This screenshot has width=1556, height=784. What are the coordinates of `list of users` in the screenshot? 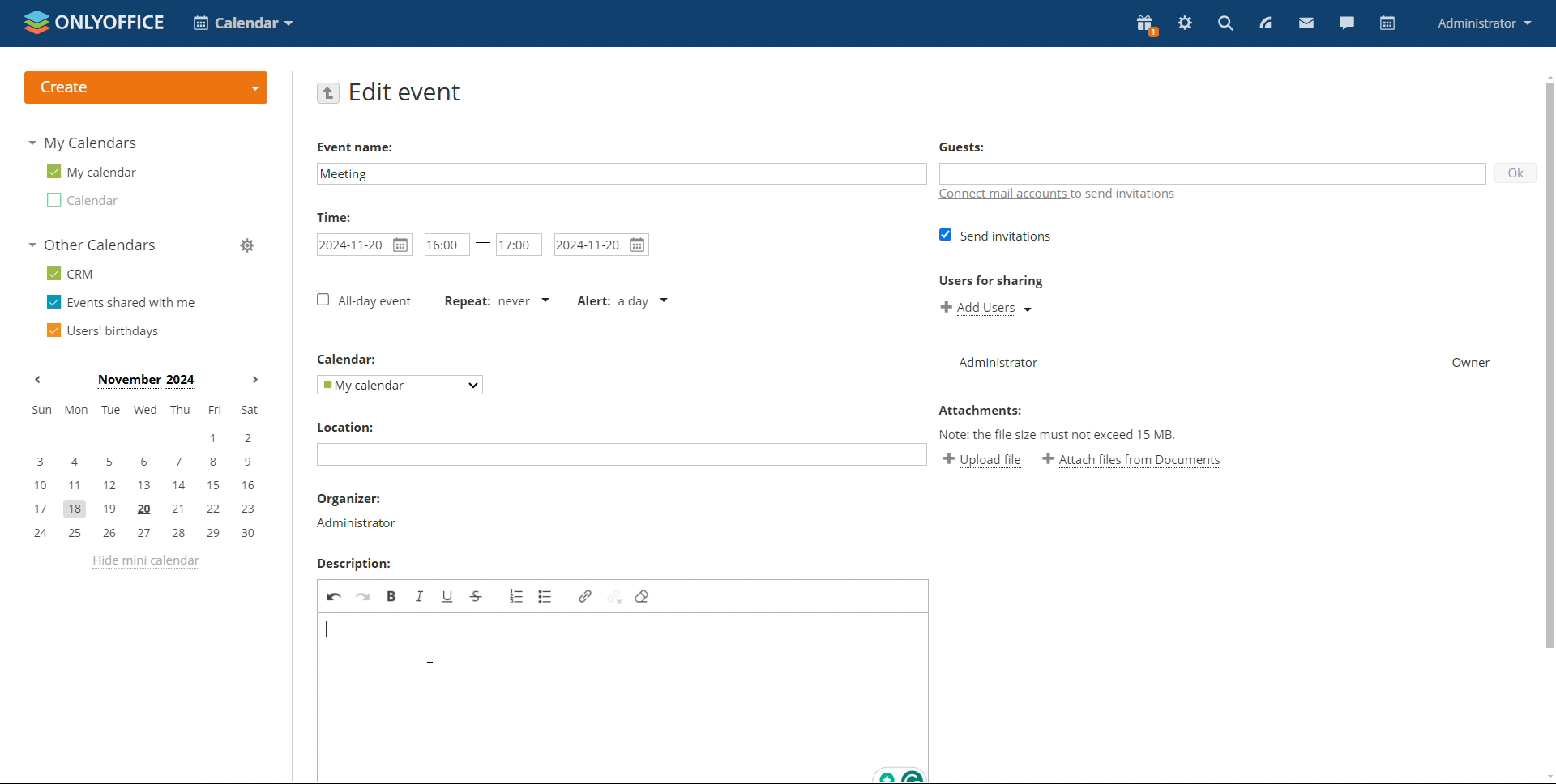 It's located at (1234, 360).